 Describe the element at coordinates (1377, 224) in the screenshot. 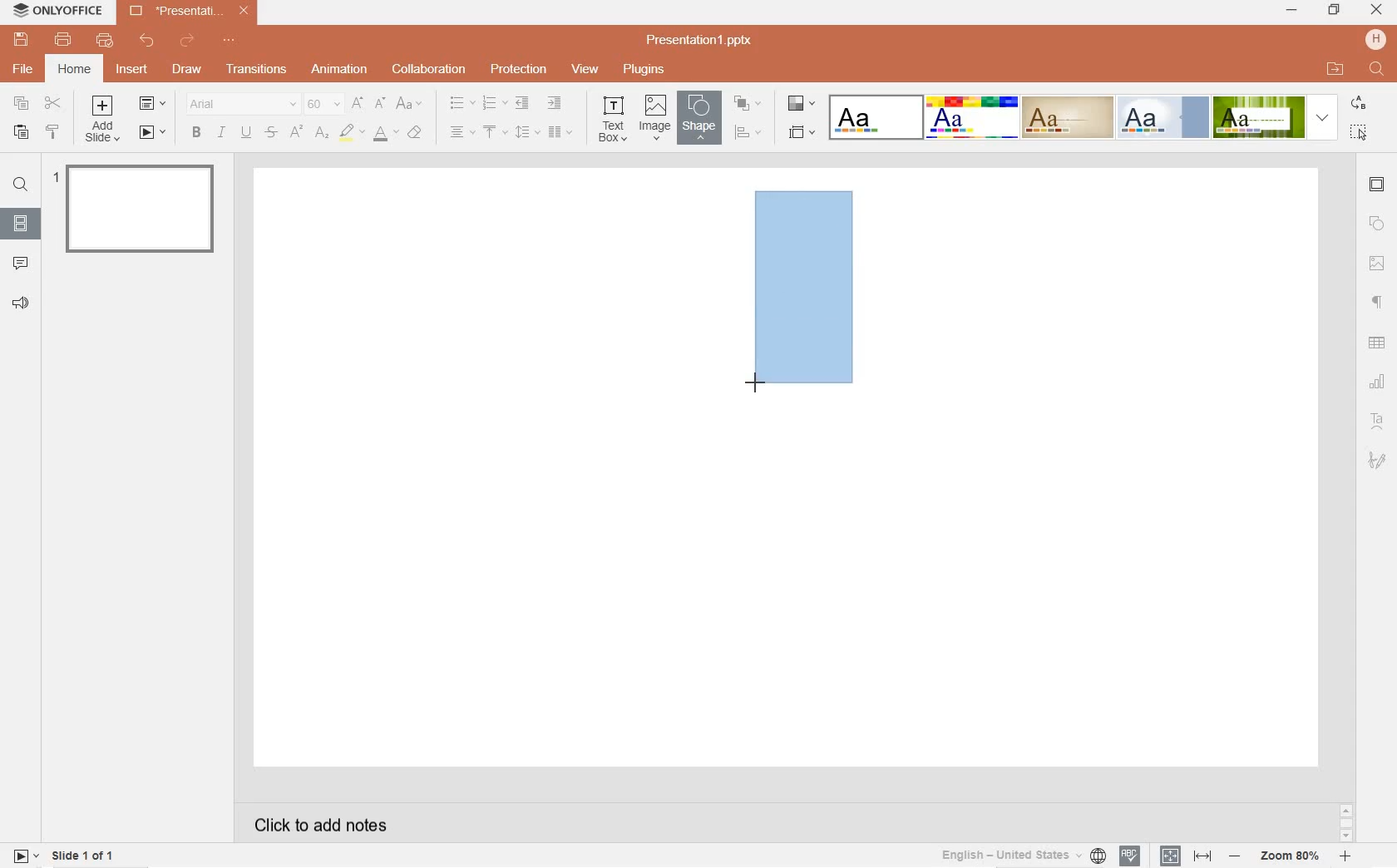

I see `shape settings` at that location.